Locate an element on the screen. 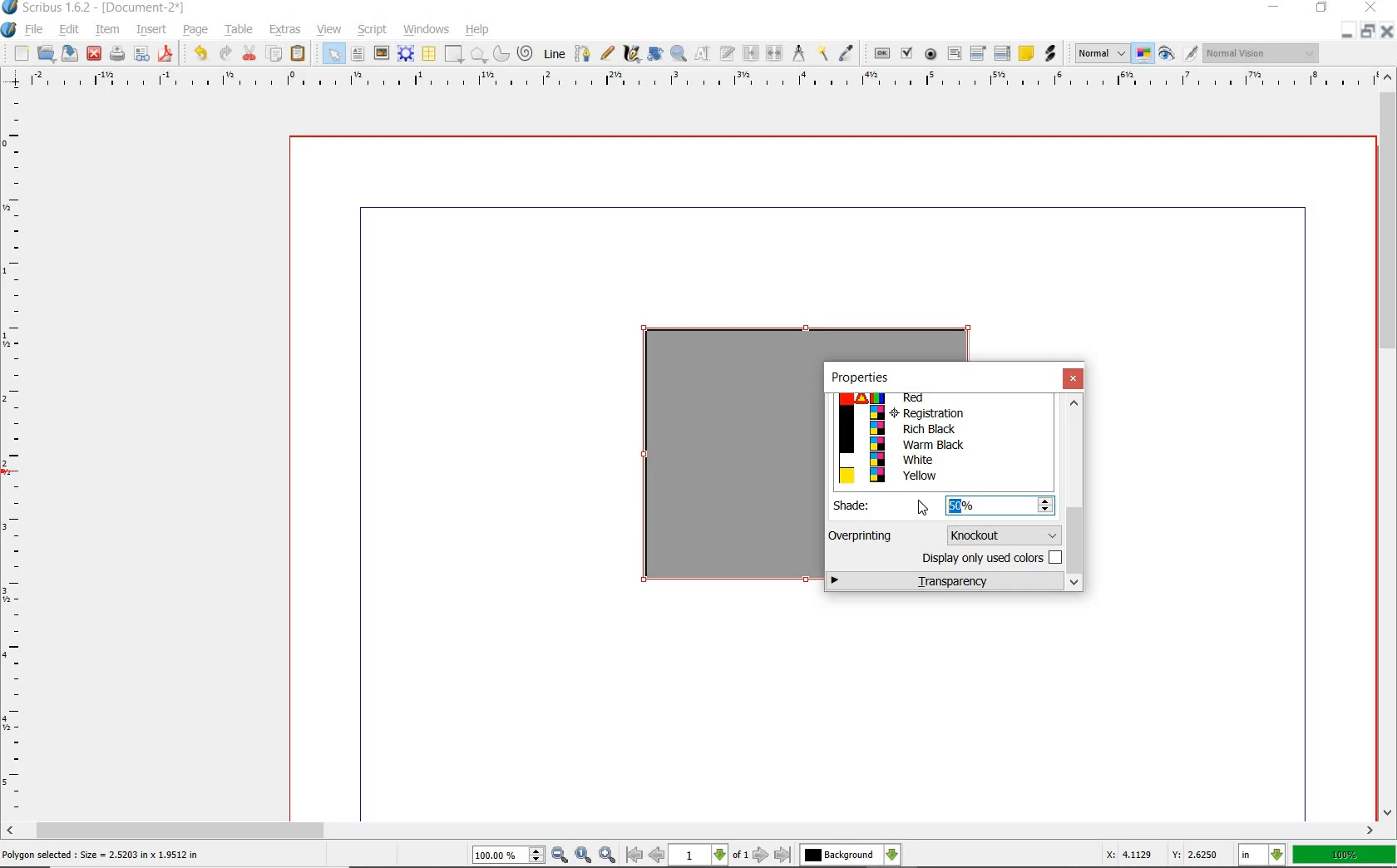 This screenshot has width=1397, height=868. text annotation is located at coordinates (1026, 53).